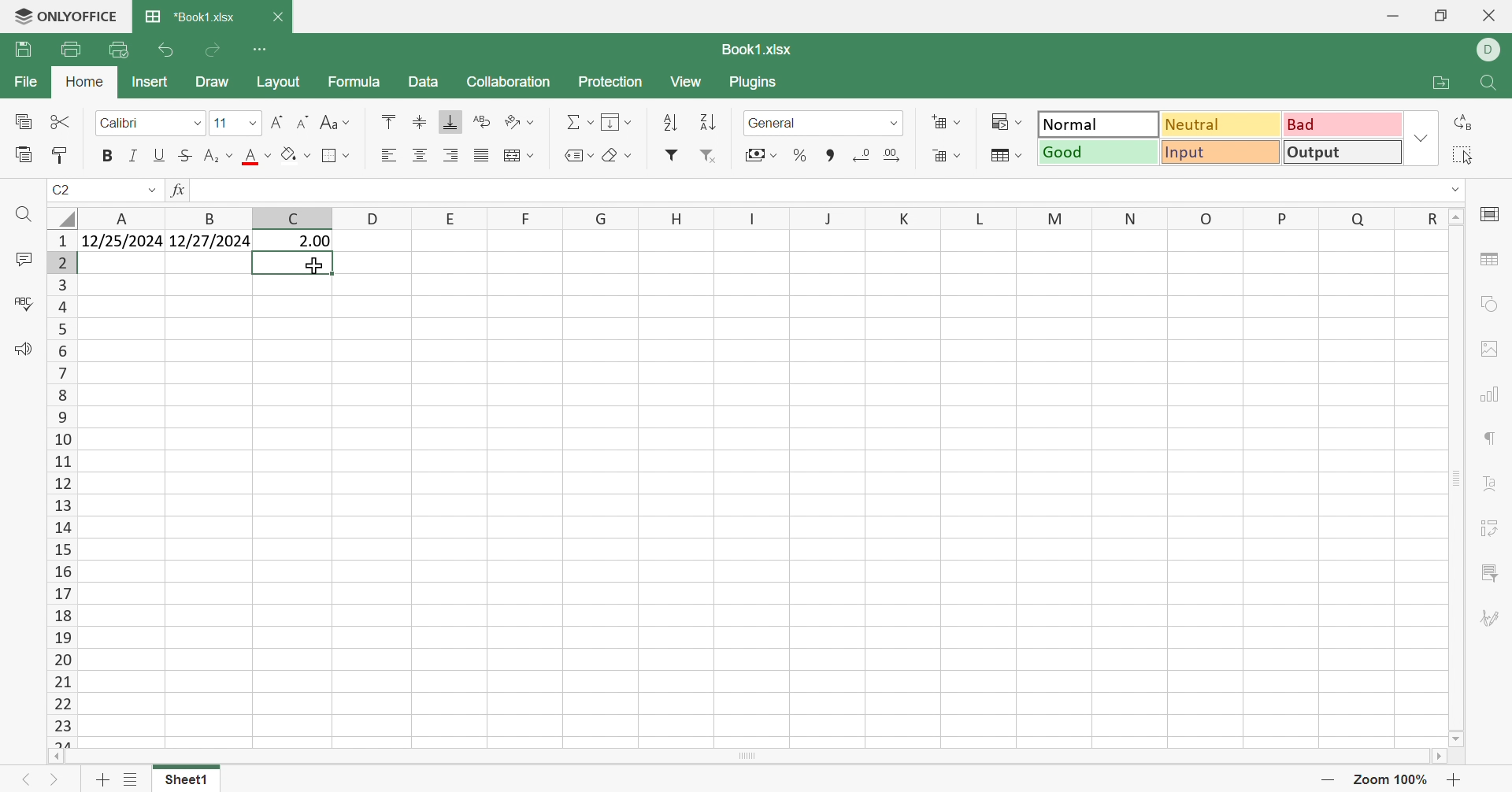 The width and height of the screenshot is (1512, 792). Describe the element at coordinates (295, 242) in the screenshot. I see `=B1-A1` at that location.